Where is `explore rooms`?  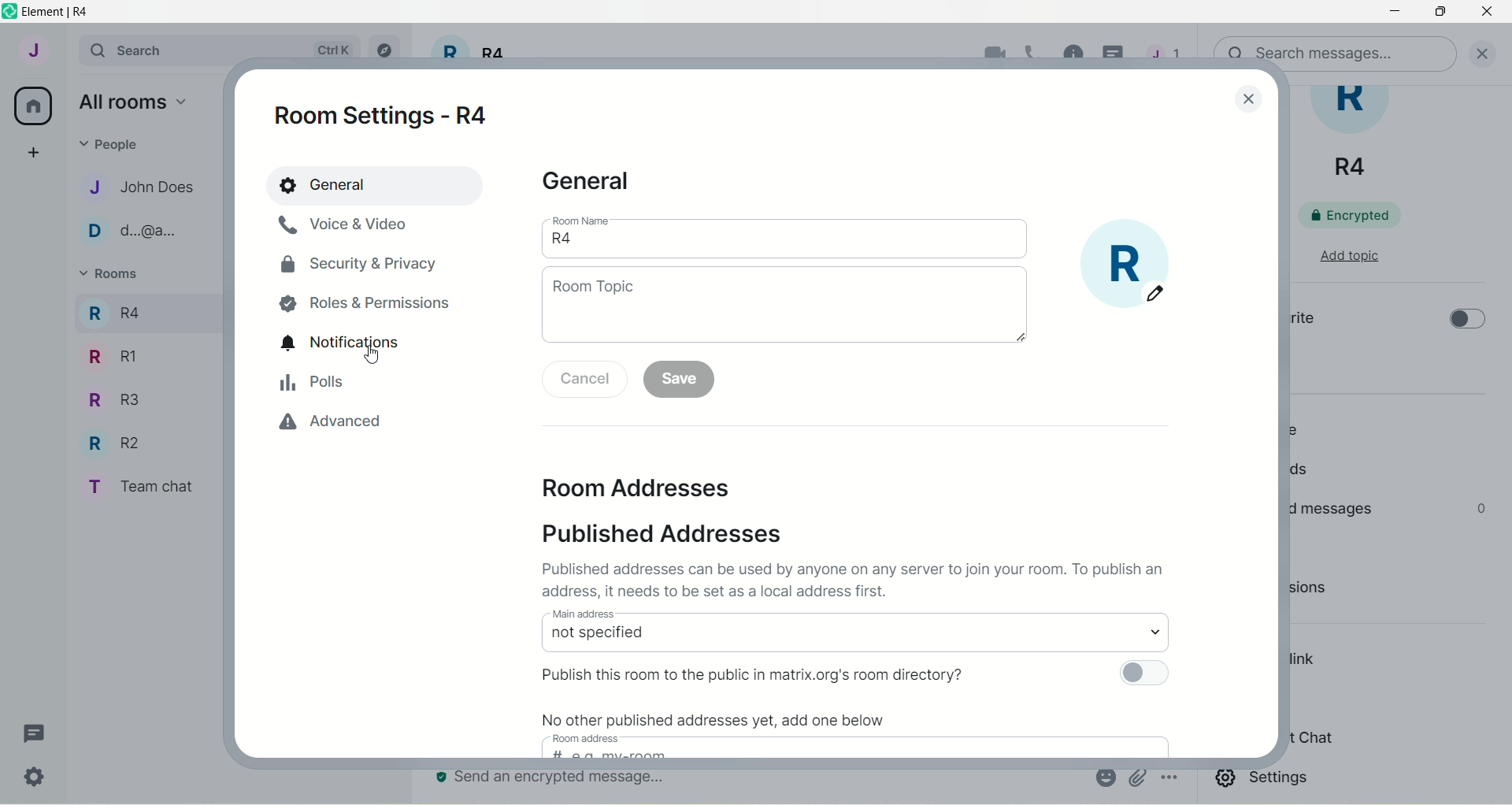
explore rooms is located at coordinates (387, 51).